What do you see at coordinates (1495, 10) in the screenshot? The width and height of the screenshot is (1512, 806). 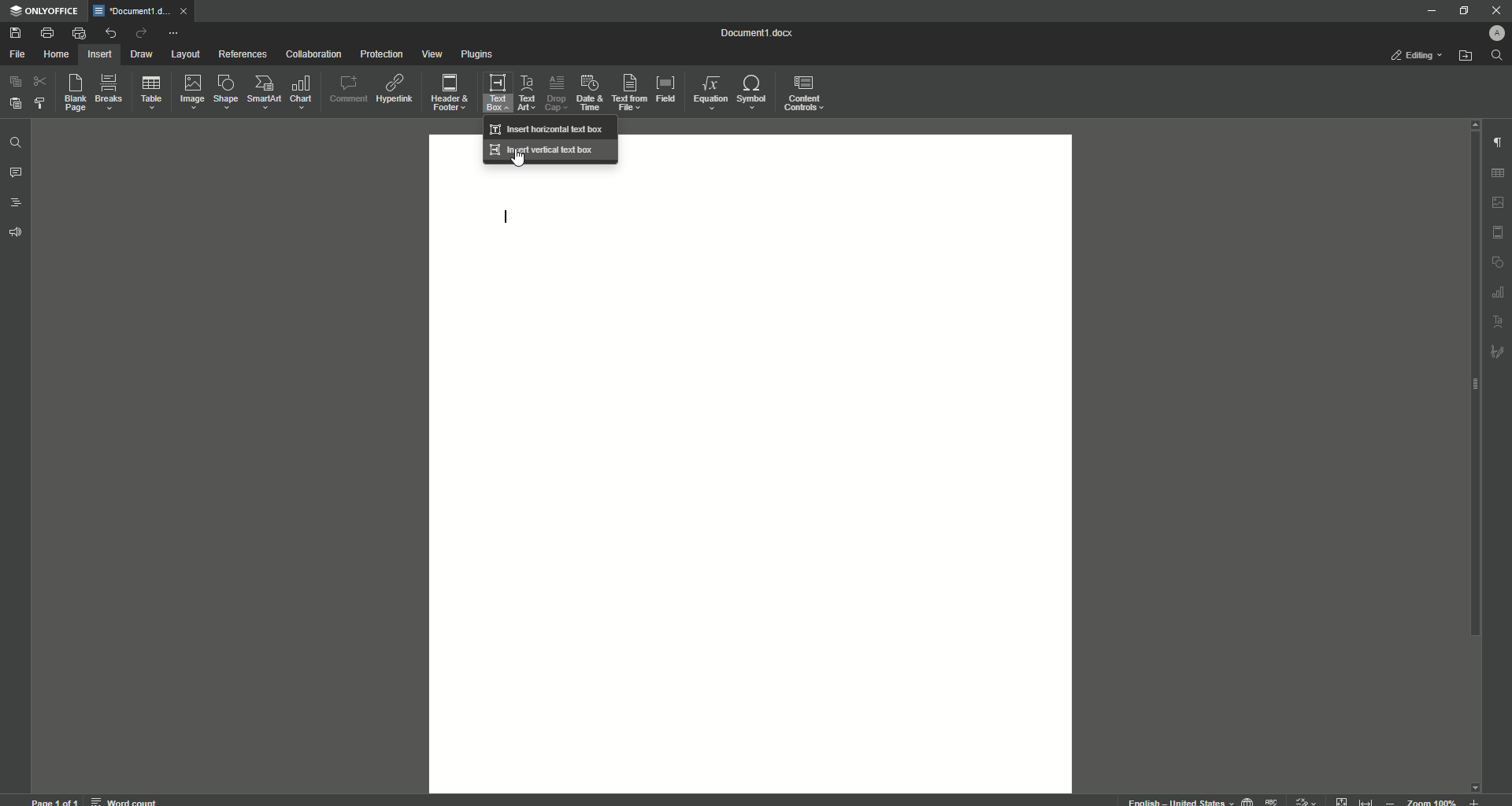 I see `Close` at bounding box center [1495, 10].